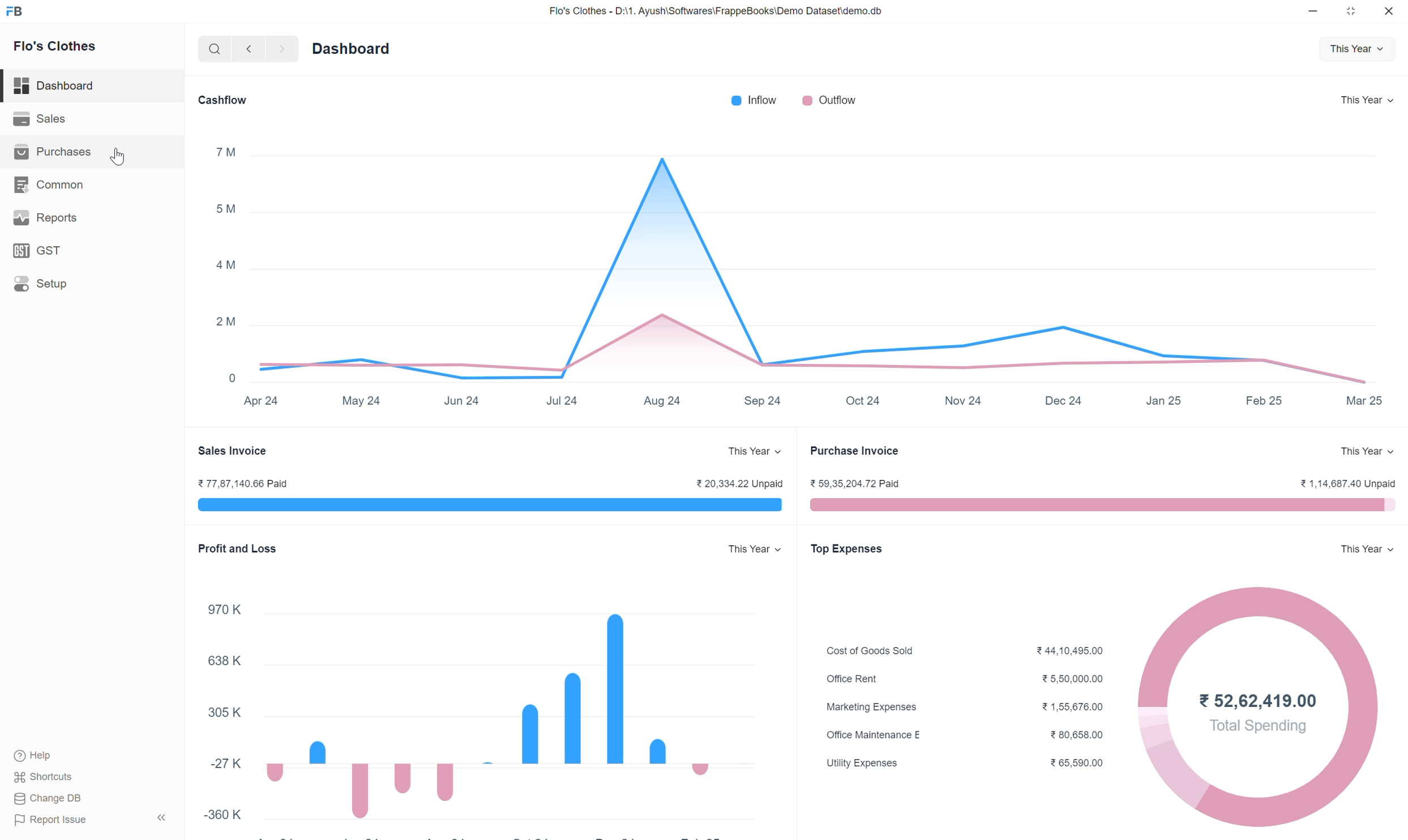 The image size is (1408, 840). I want to click on Shortcuts, so click(44, 777).